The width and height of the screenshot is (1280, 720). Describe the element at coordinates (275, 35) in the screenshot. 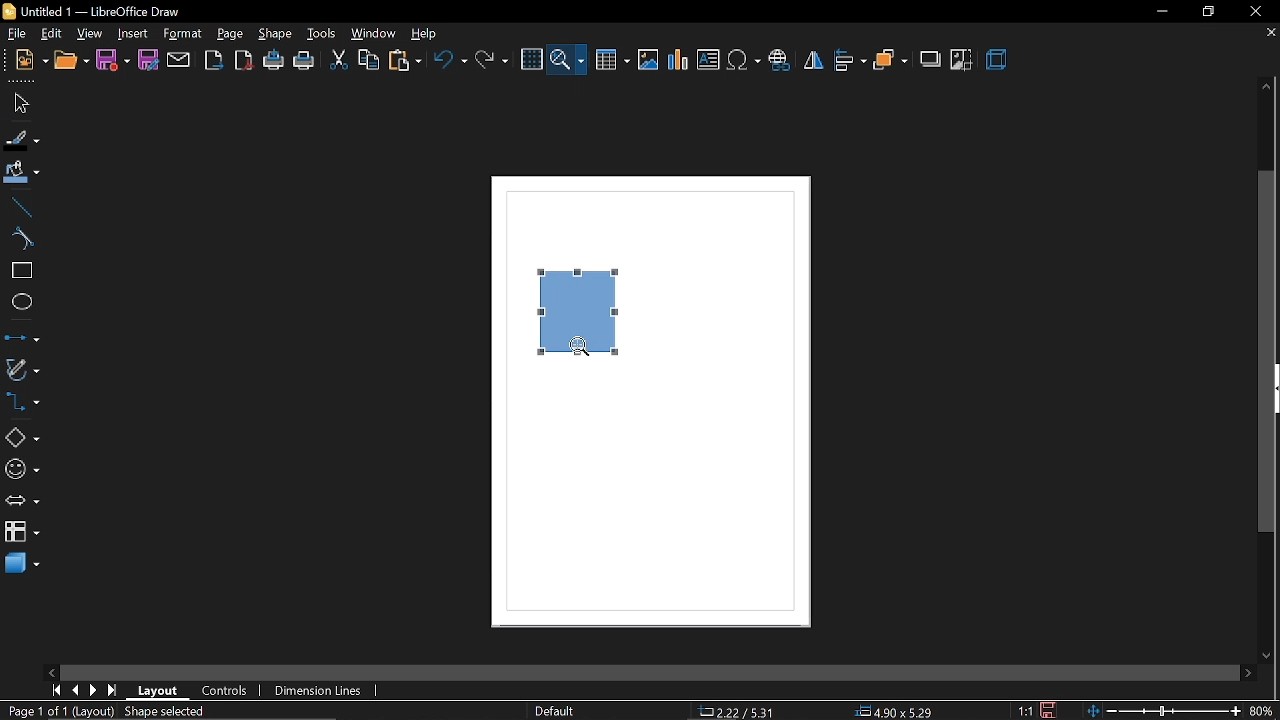

I see `shape` at that location.